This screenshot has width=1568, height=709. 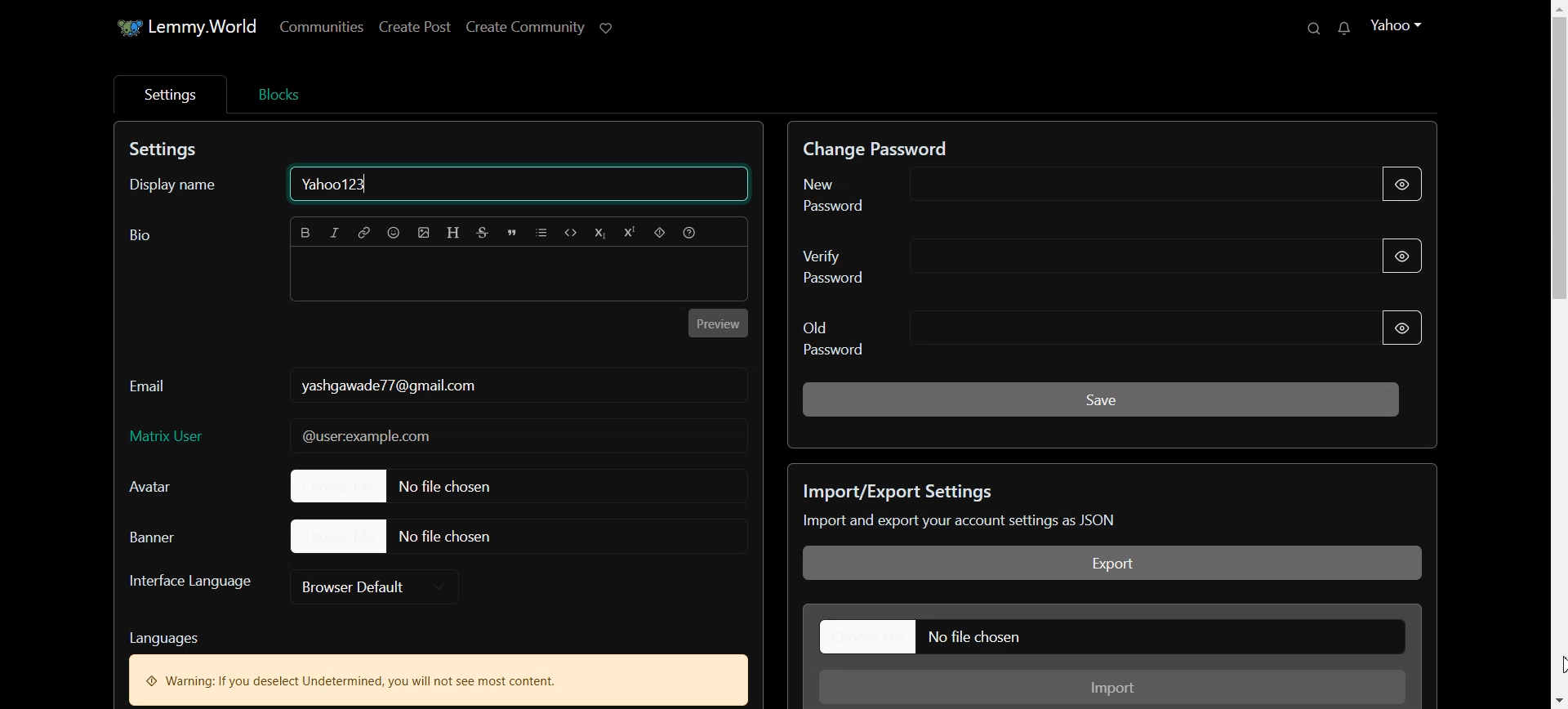 I want to click on List, so click(x=543, y=234).